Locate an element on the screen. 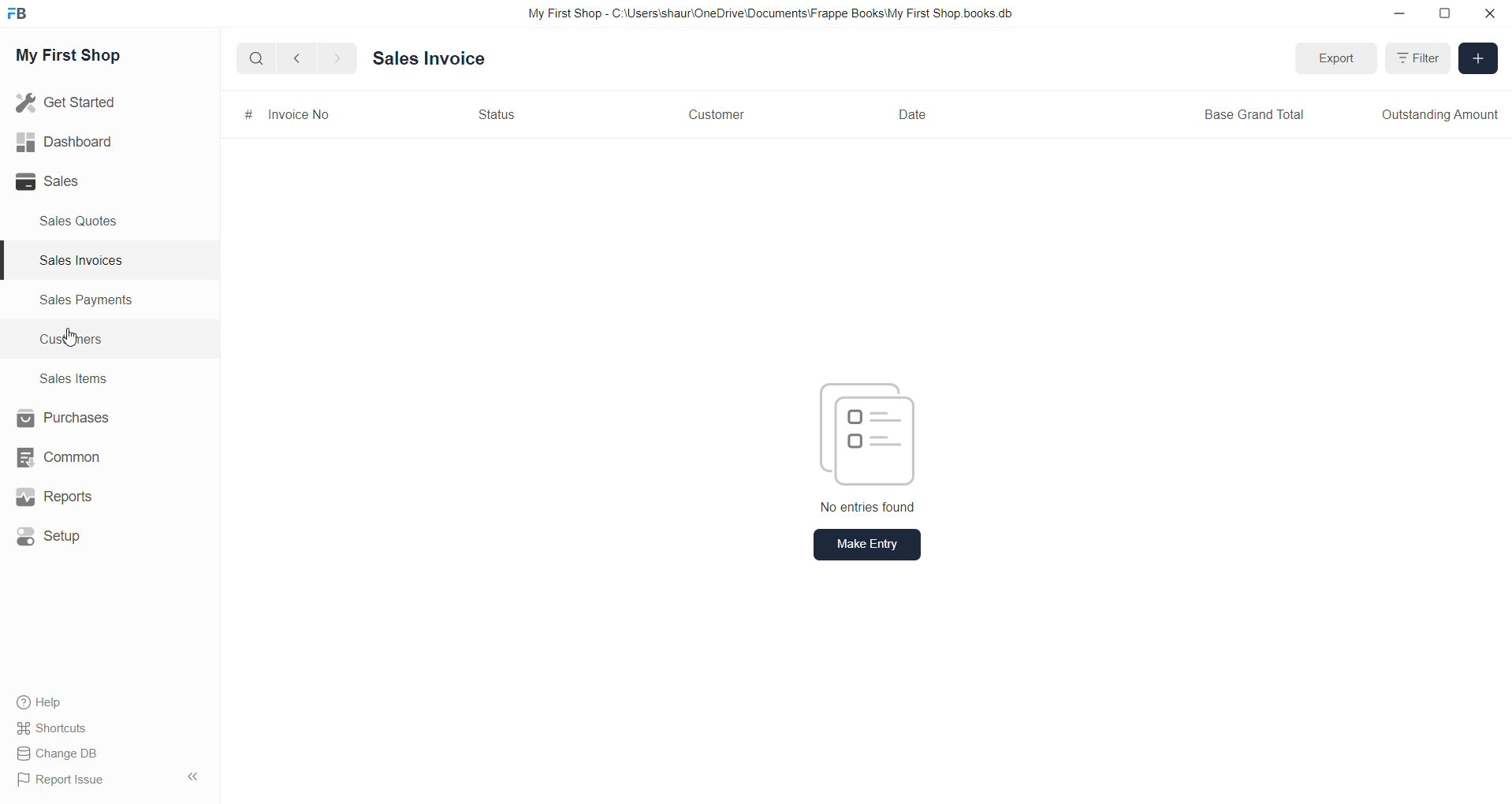  Common is located at coordinates (61, 458).